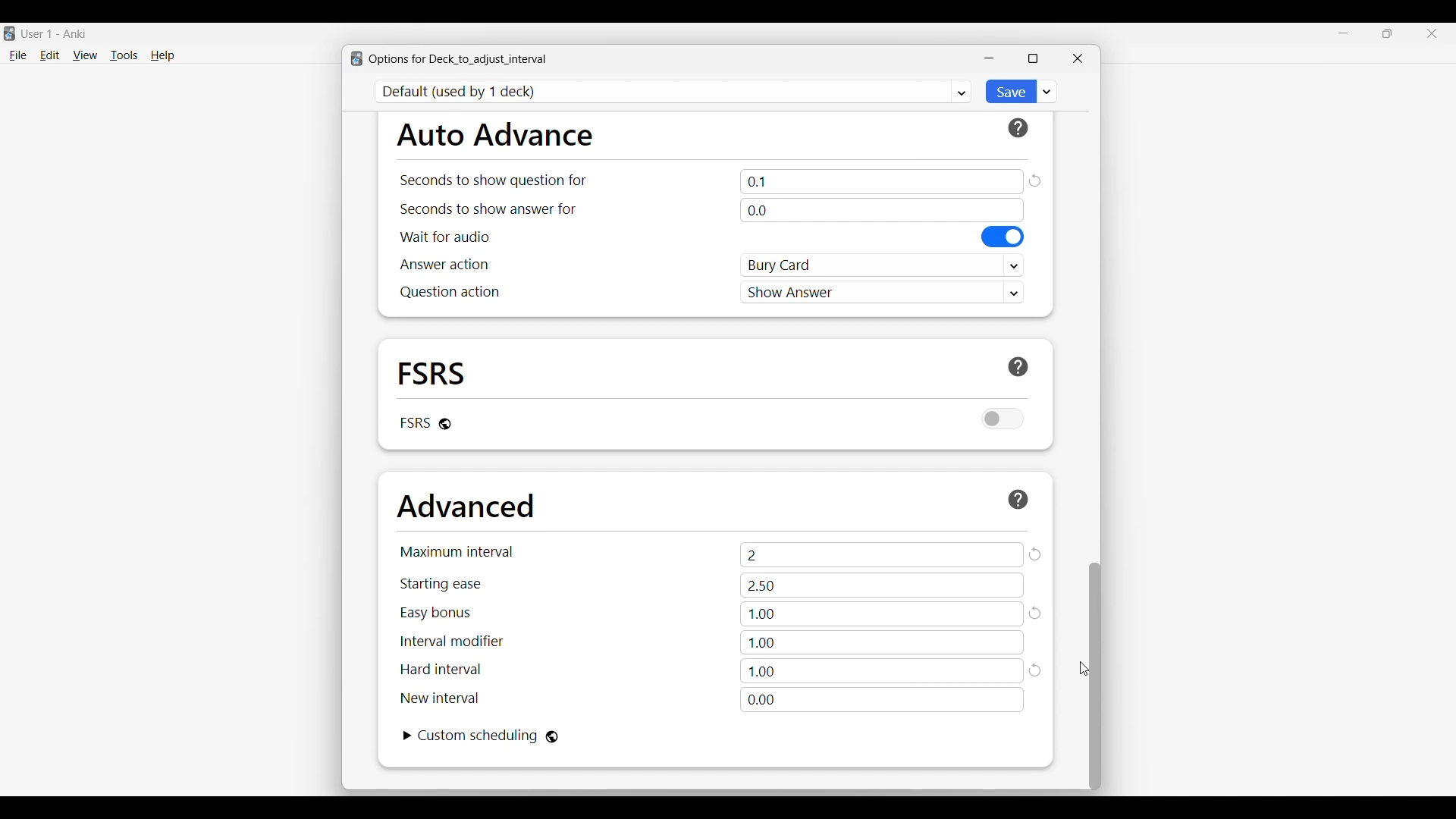 Image resolution: width=1456 pixels, height=819 pixels. What do you see at coordinates (450, 292) in the screenshot?
I see `Indicates question action` at bounding box center [450, 292].